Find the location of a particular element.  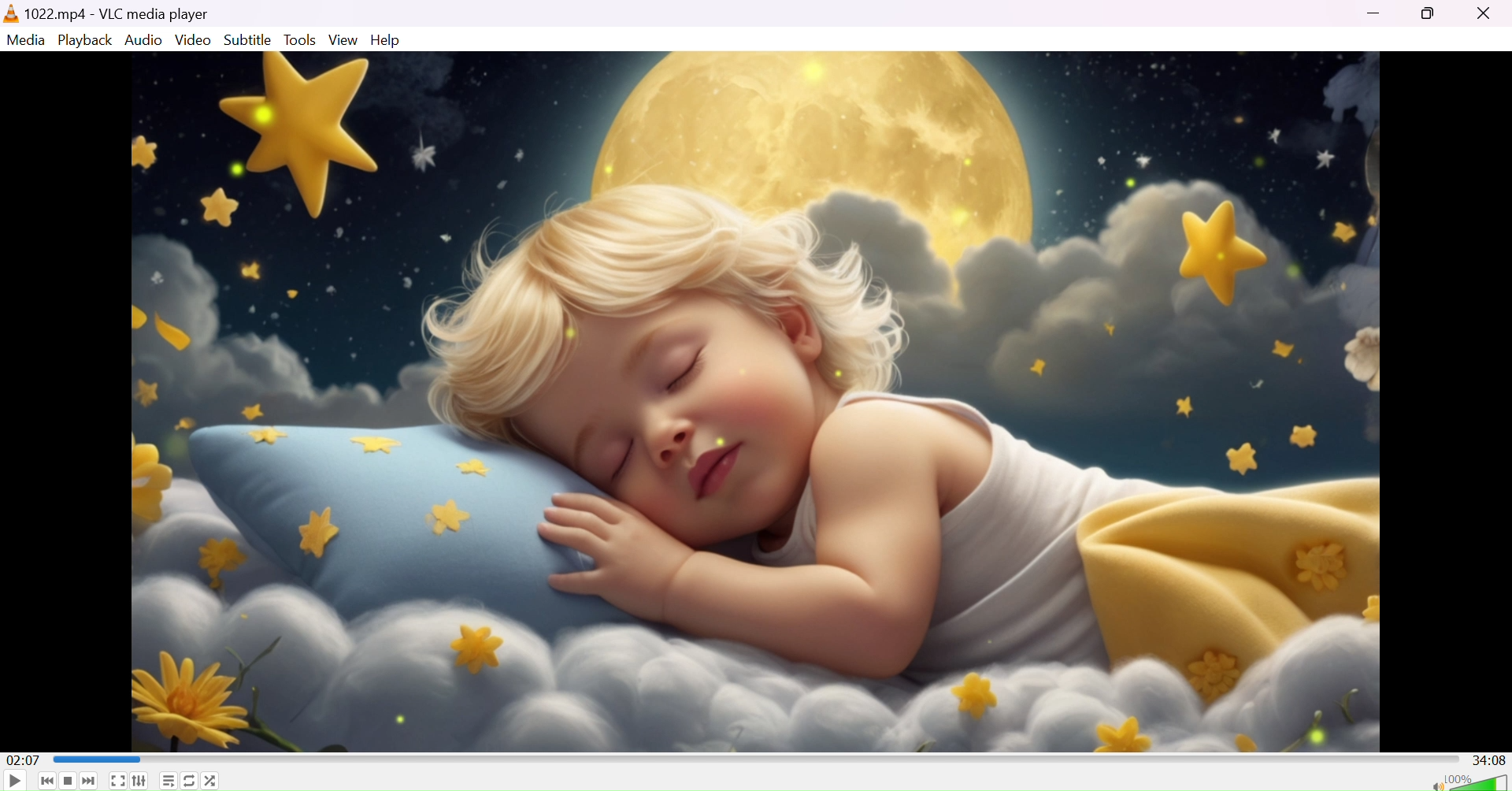

Tools is located at coordinates (301, 39).